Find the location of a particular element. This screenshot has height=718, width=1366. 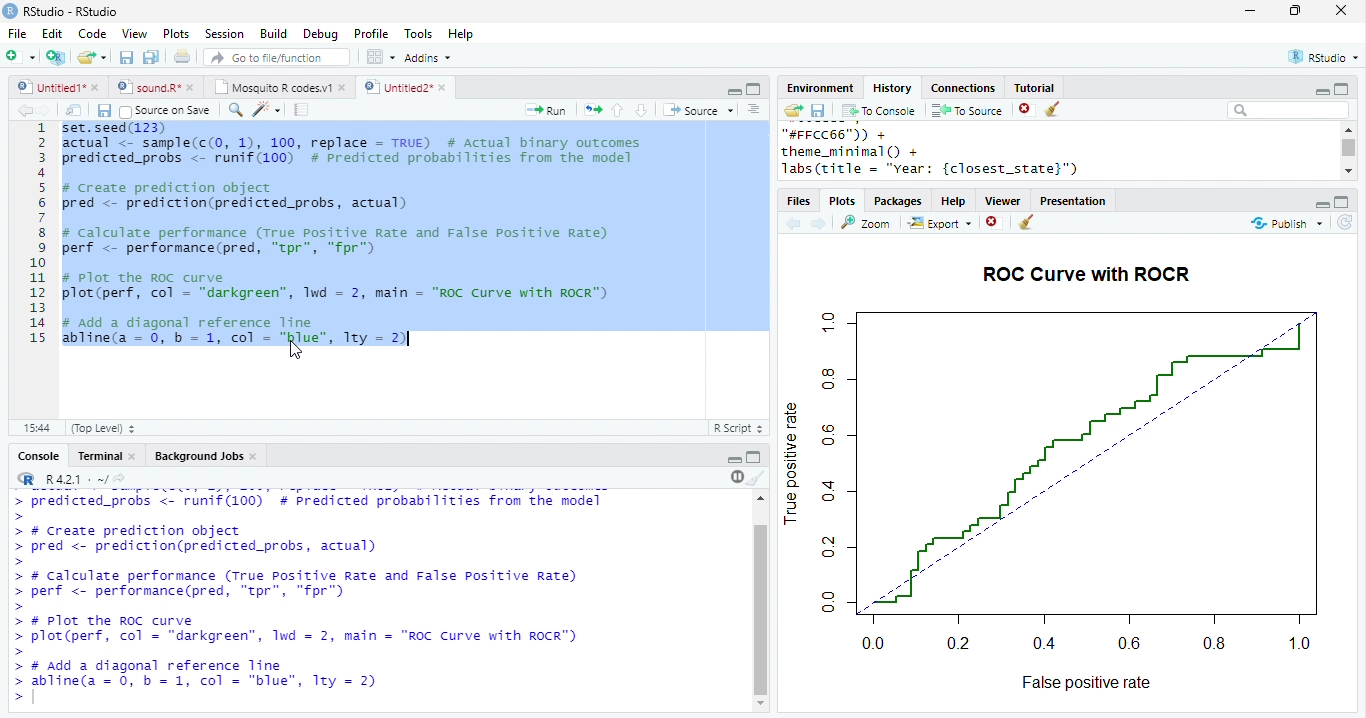

scroll bar is located at coordinates (1350, 148).